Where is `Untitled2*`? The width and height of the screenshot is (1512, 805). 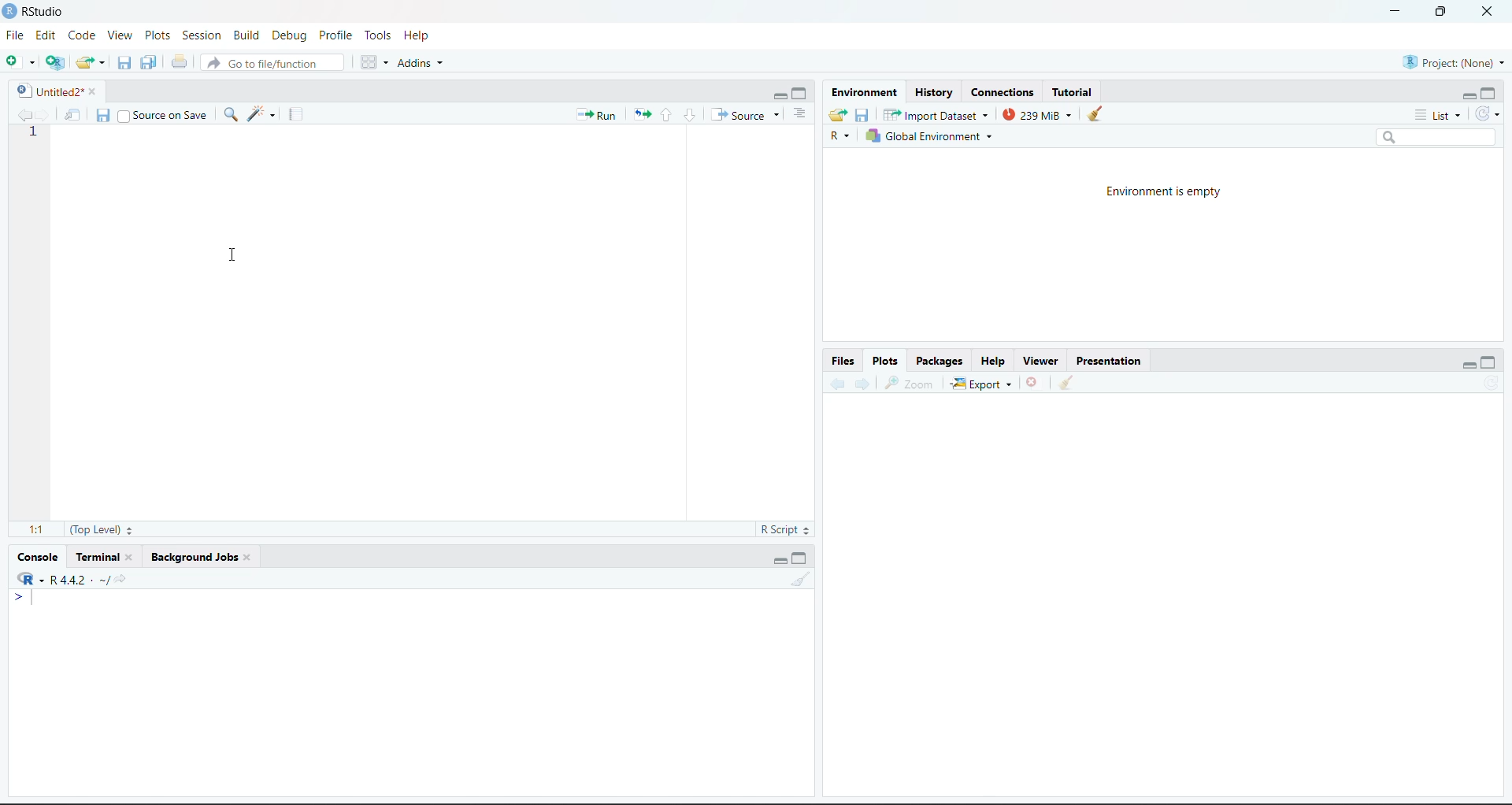
Untitled2* is located at coordinates (53, 89).